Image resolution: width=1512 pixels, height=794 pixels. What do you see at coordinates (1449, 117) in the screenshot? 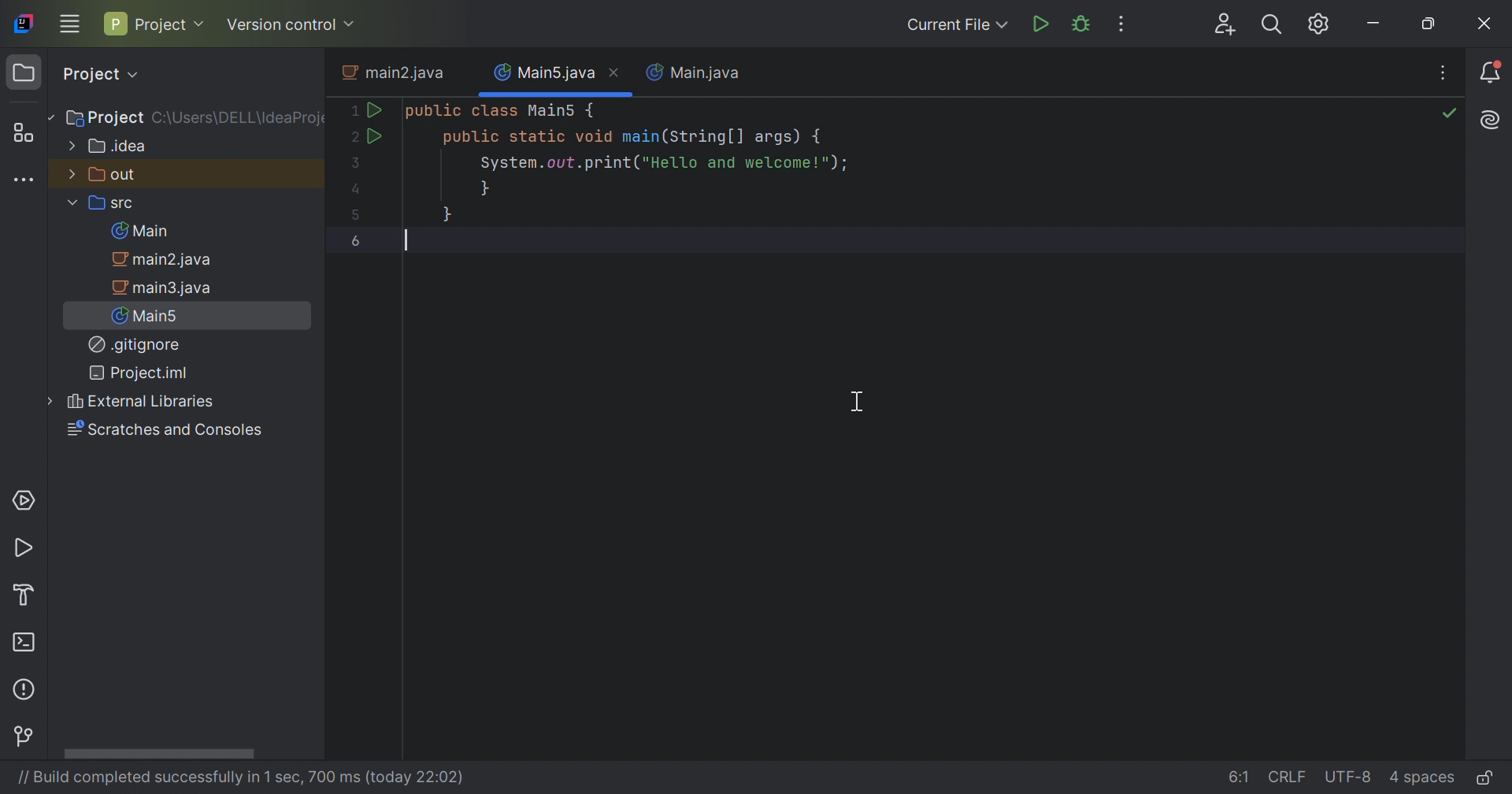
I see `No problems found` at bounding box center [1449, 117].